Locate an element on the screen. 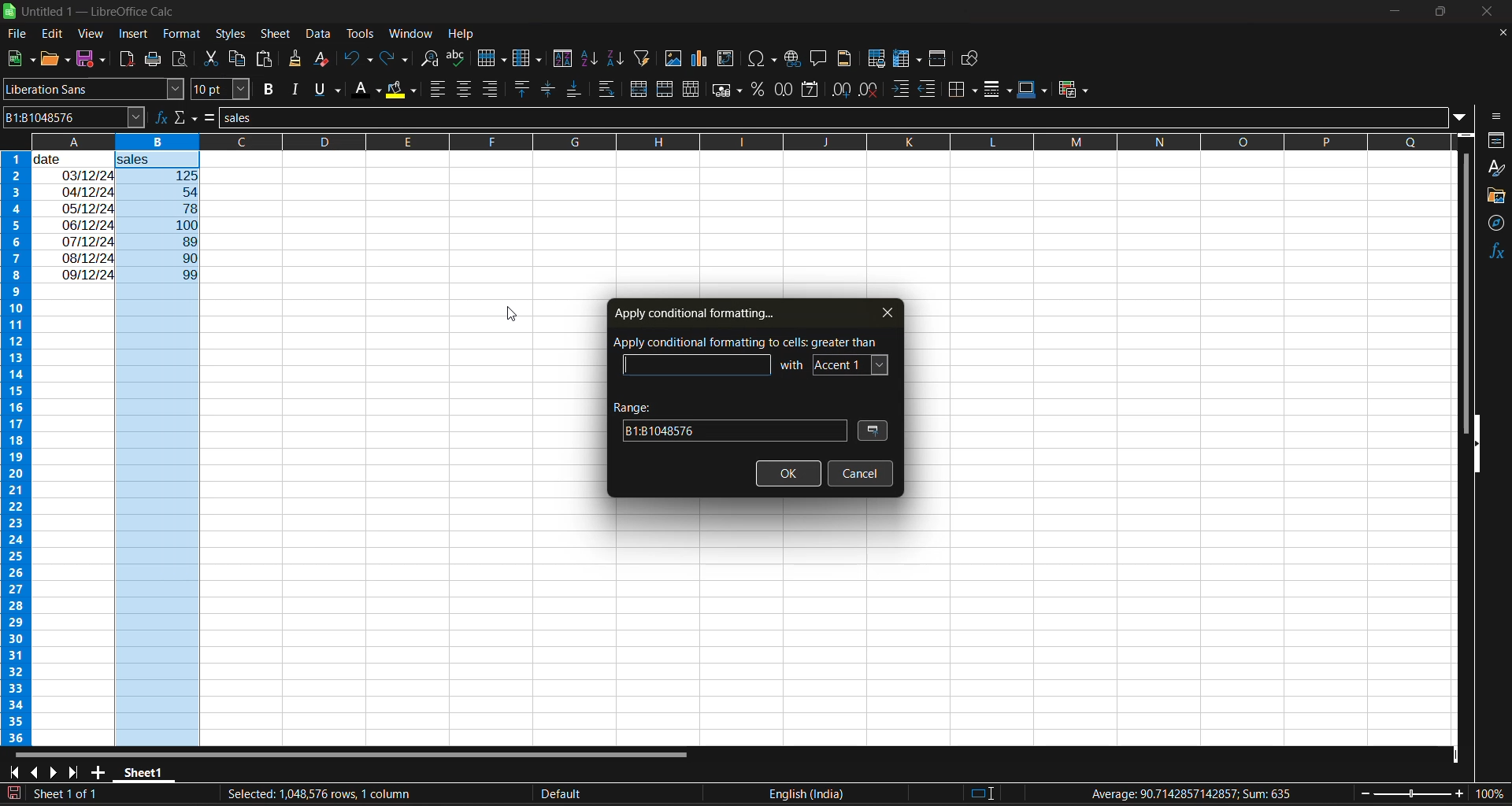 The image size is (1512, 806). hide is located at coordinates (1478, 444).